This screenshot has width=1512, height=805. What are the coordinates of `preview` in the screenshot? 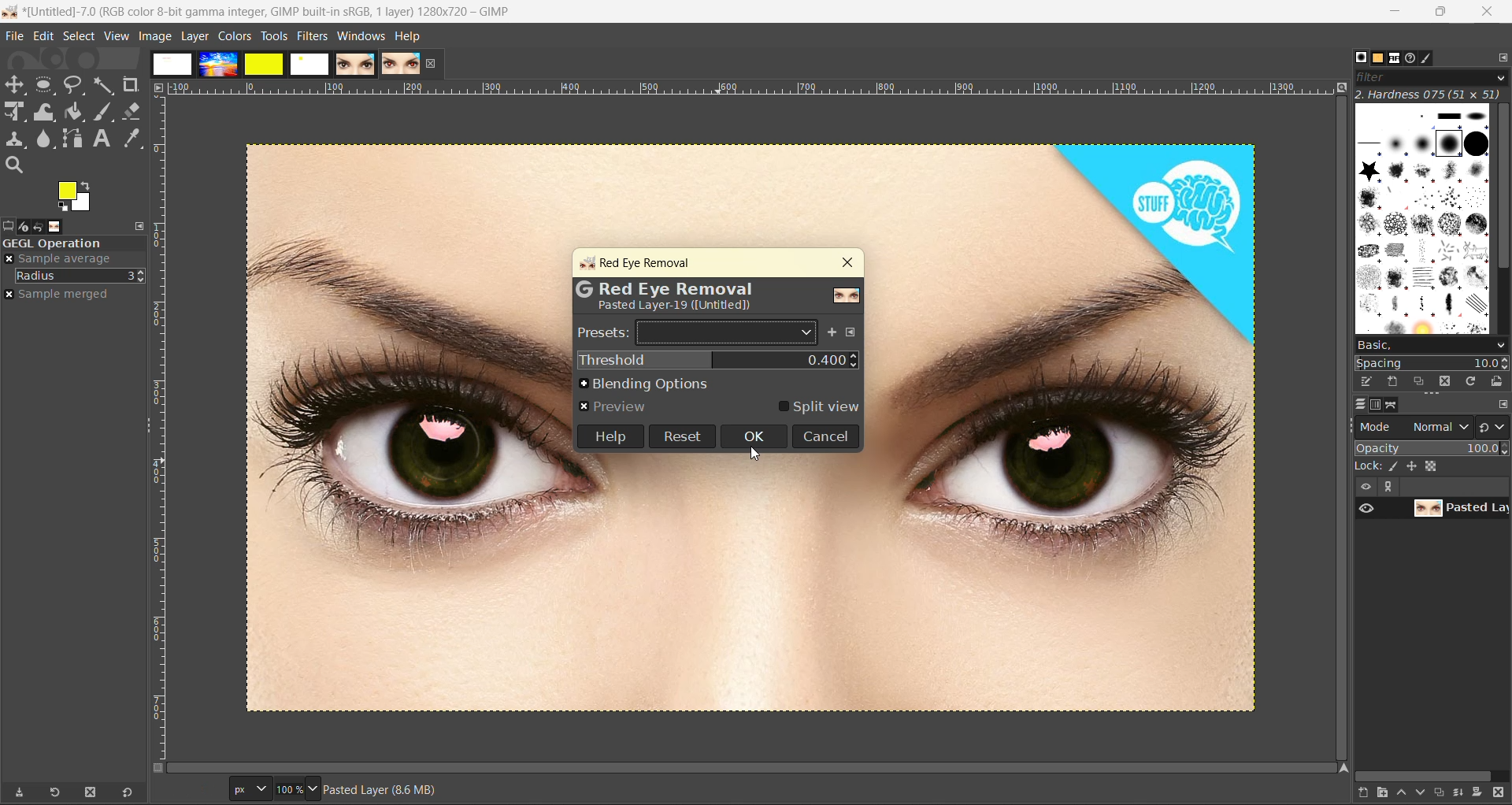 It's located at (1366, 507).